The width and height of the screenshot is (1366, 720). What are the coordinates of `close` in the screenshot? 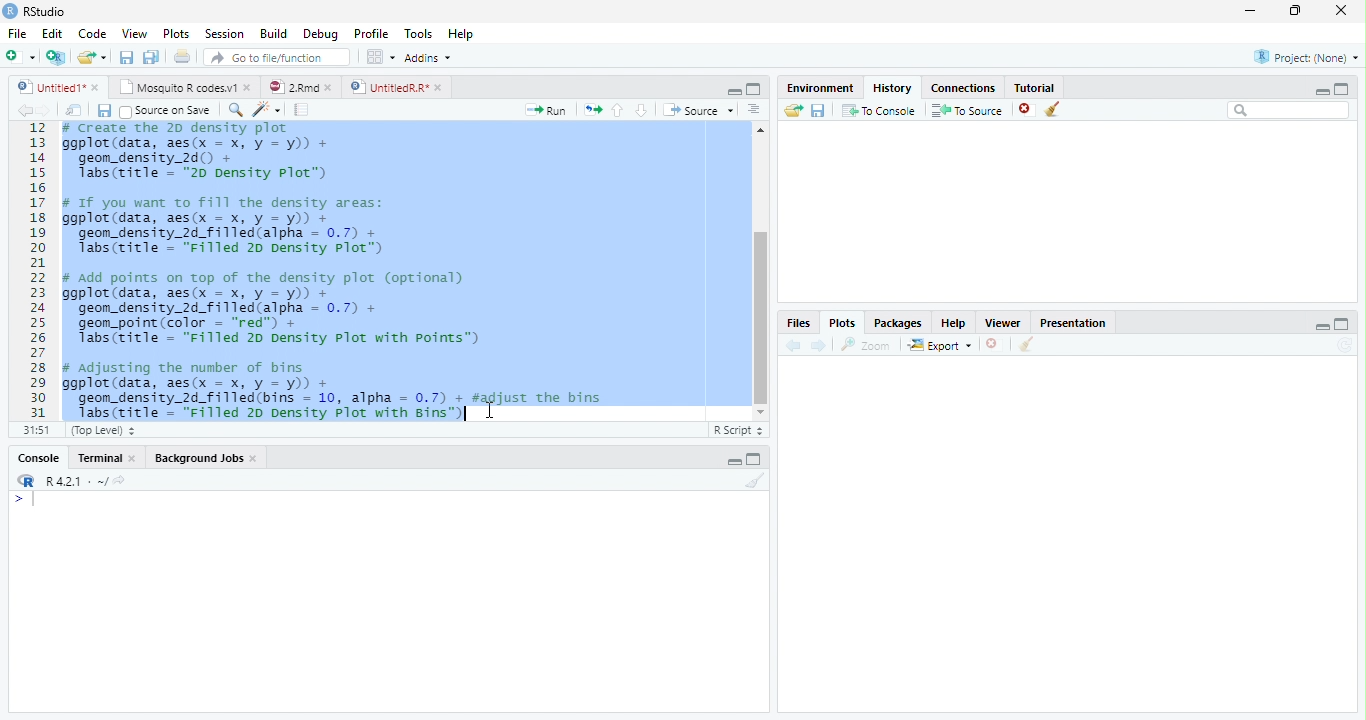 It's located at (993, 344).